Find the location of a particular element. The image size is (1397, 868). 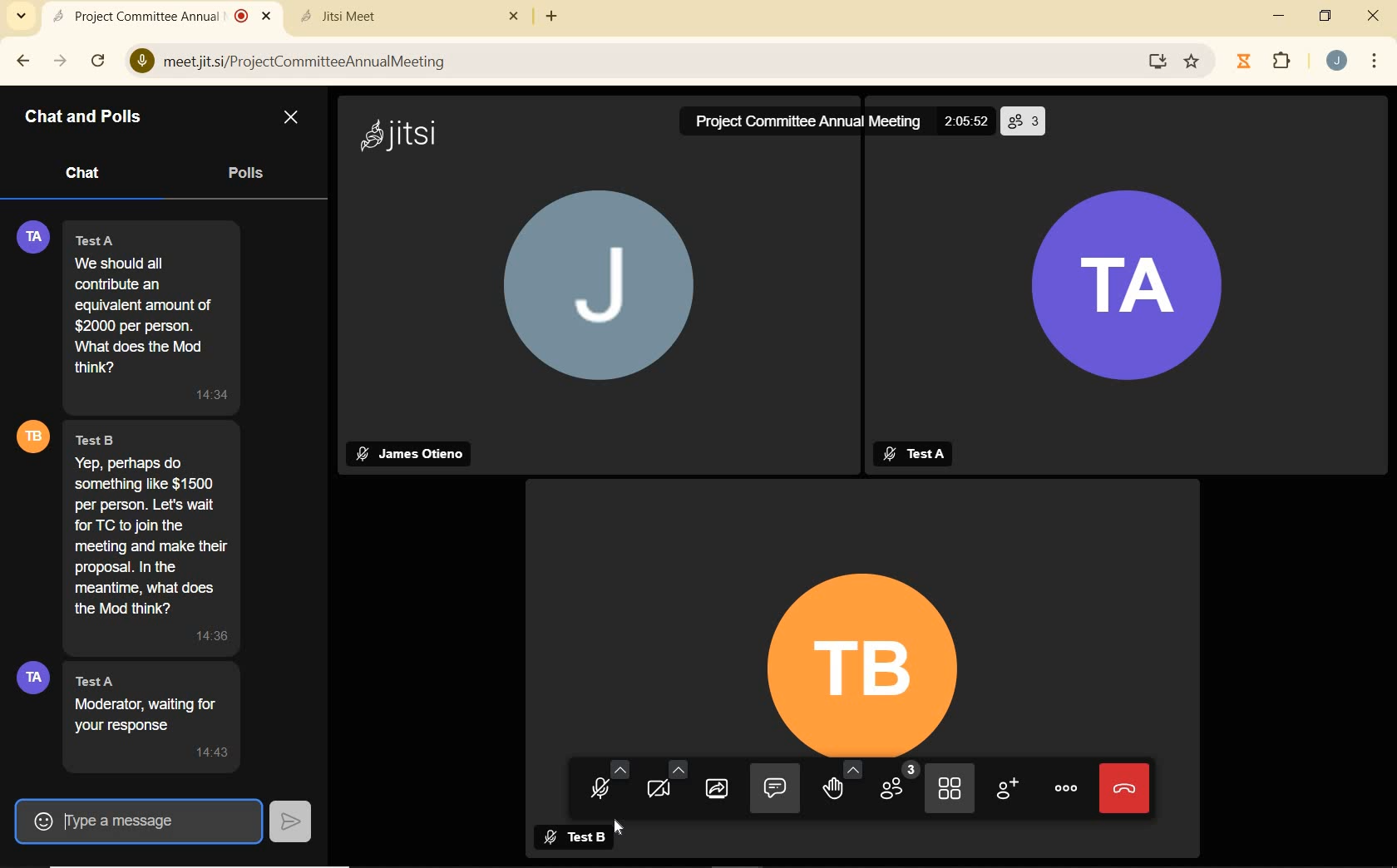

close is located at coordinates (517, 16).